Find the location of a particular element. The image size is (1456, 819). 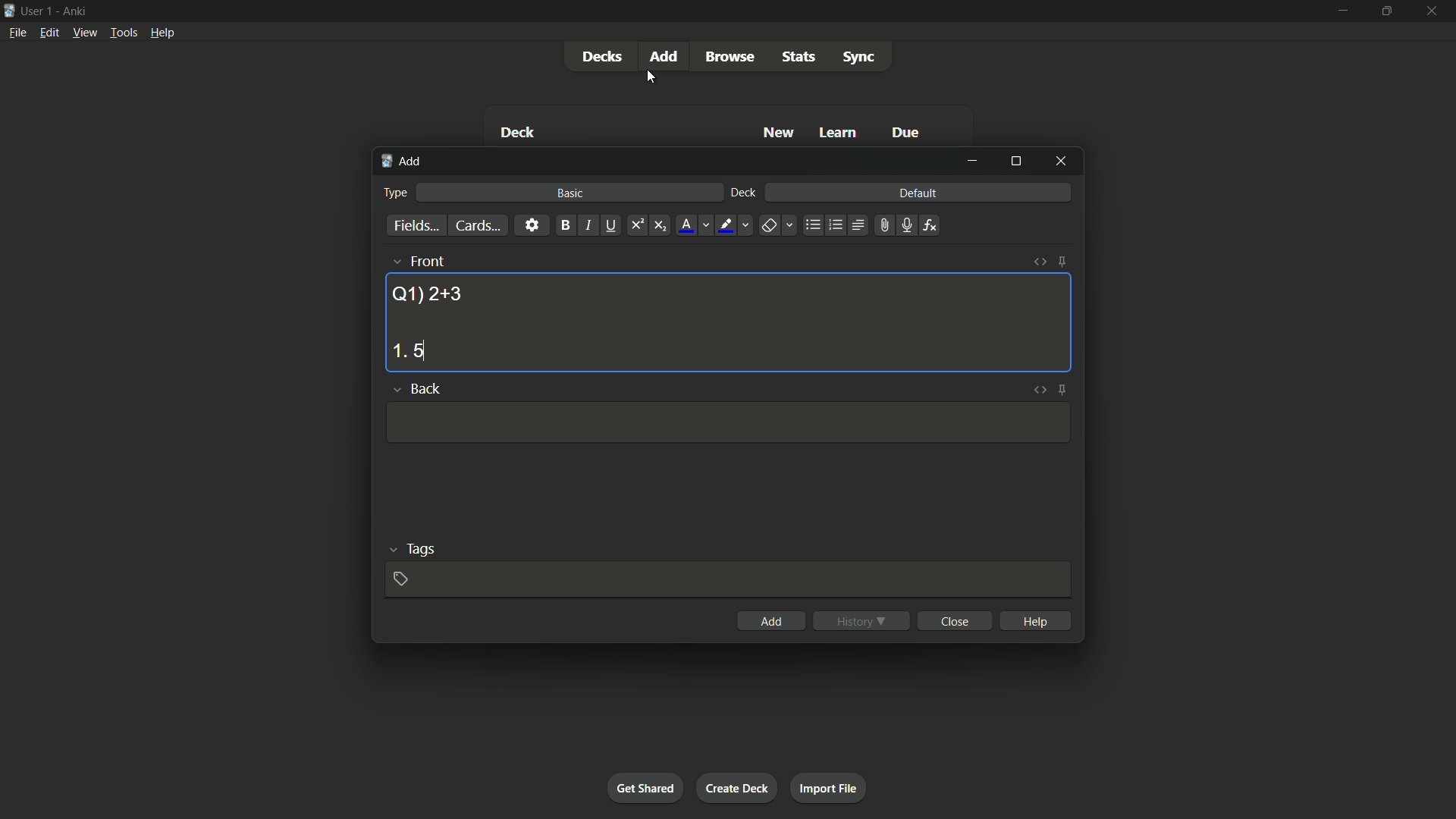

deck is located at coordinates (744, 193).